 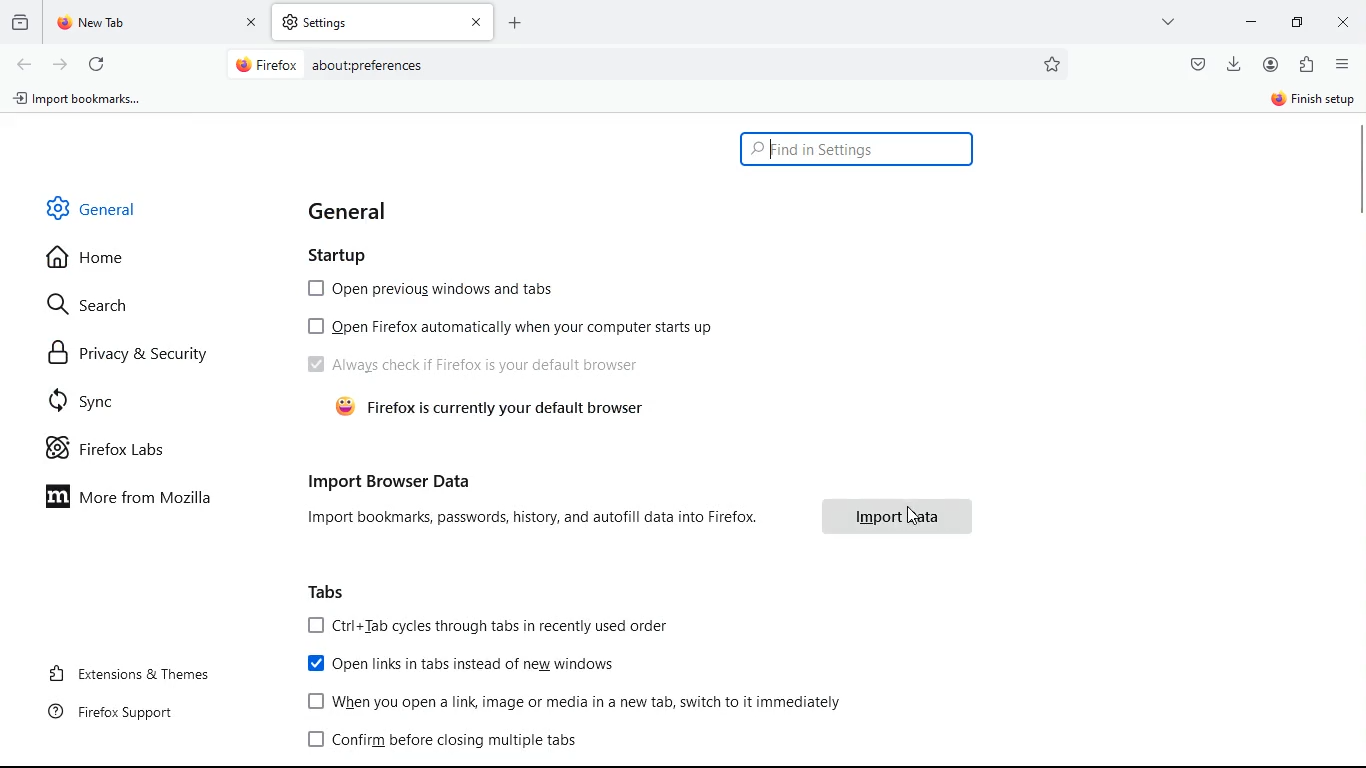 What do you see at coordinates (1340, 25) in the screenshot?
I see `close` at bounding box center [1340, 25].